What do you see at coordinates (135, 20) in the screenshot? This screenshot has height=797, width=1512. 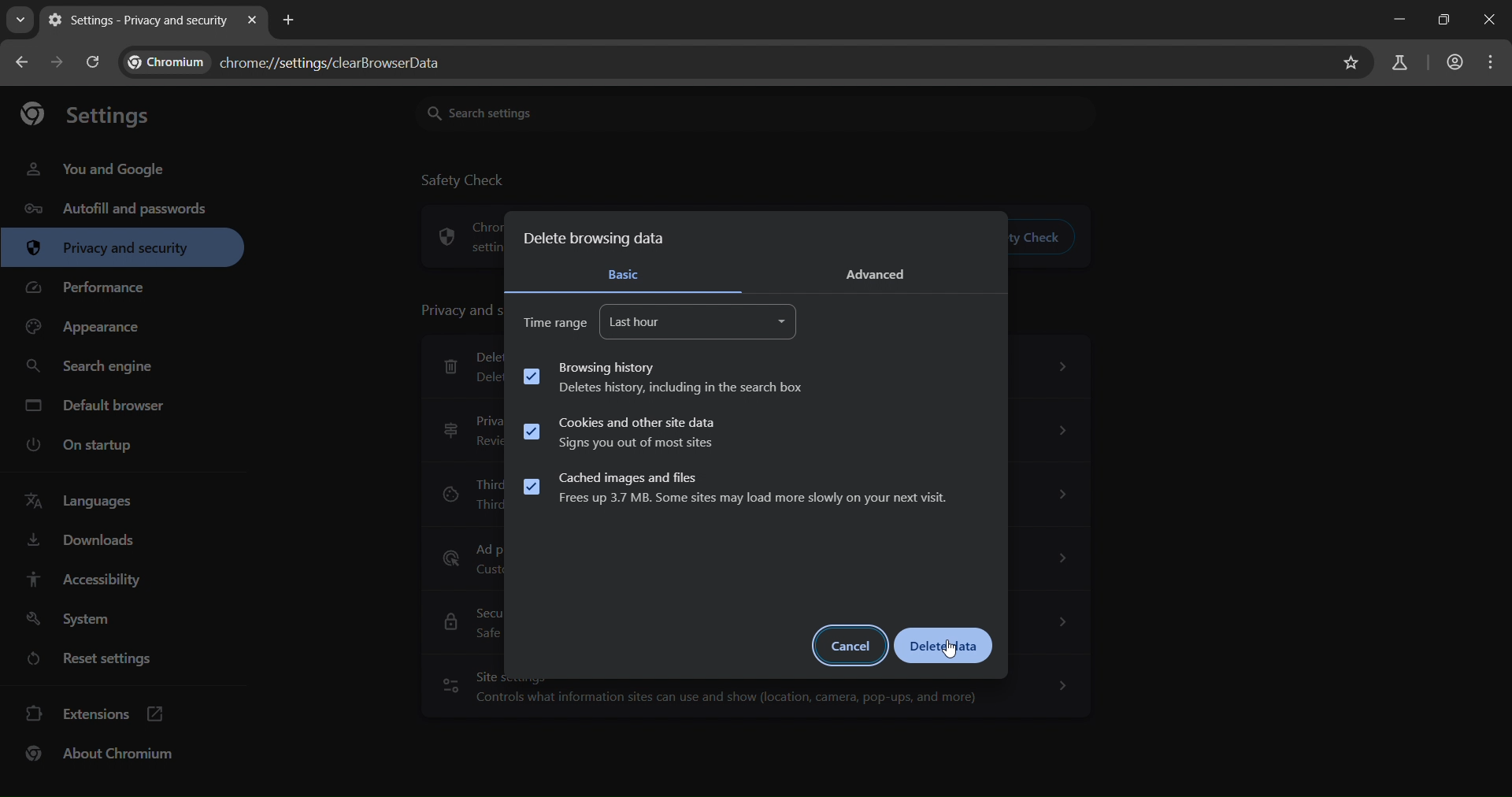 I see `Settings - Privacy and security` at bounding box center [135, 20].